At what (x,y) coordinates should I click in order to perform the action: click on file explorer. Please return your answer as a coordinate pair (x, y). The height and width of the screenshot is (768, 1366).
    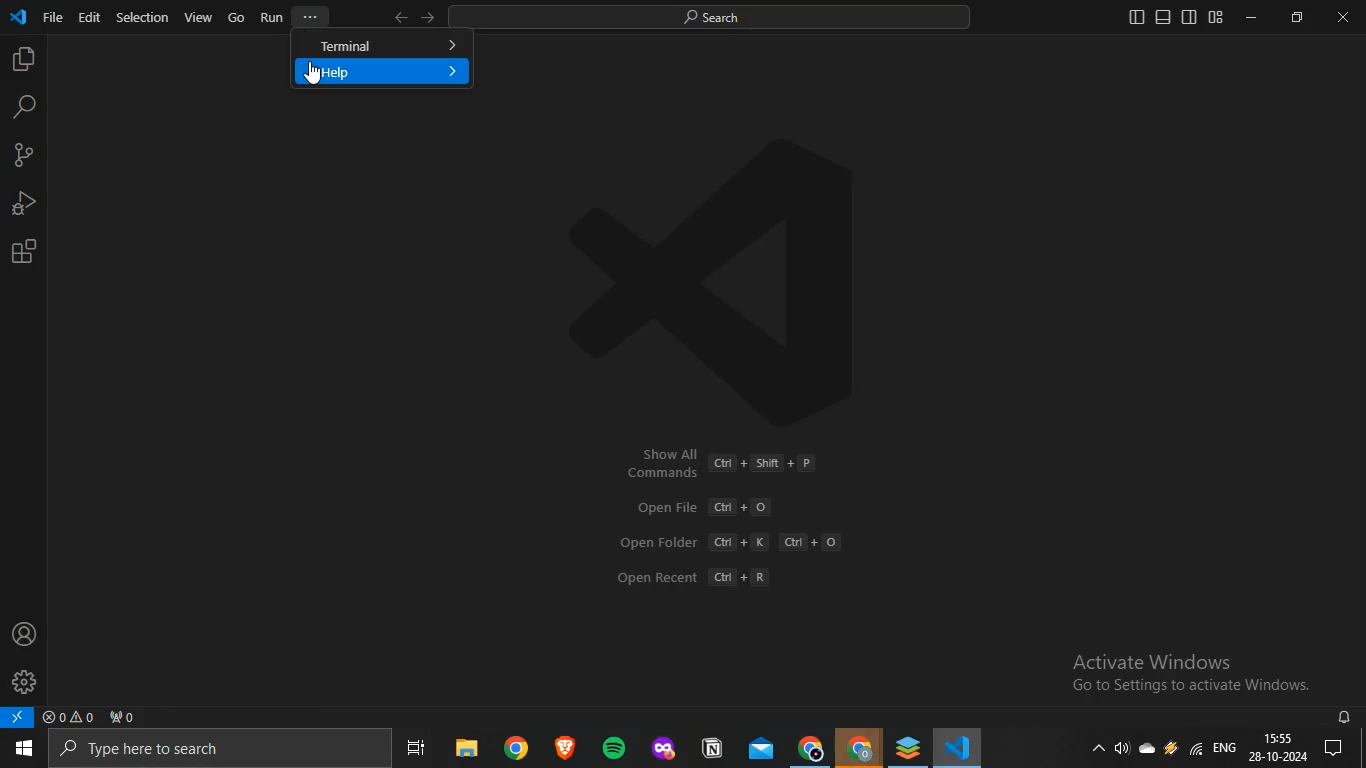
    Looking at the image, I should click on (465, 750).